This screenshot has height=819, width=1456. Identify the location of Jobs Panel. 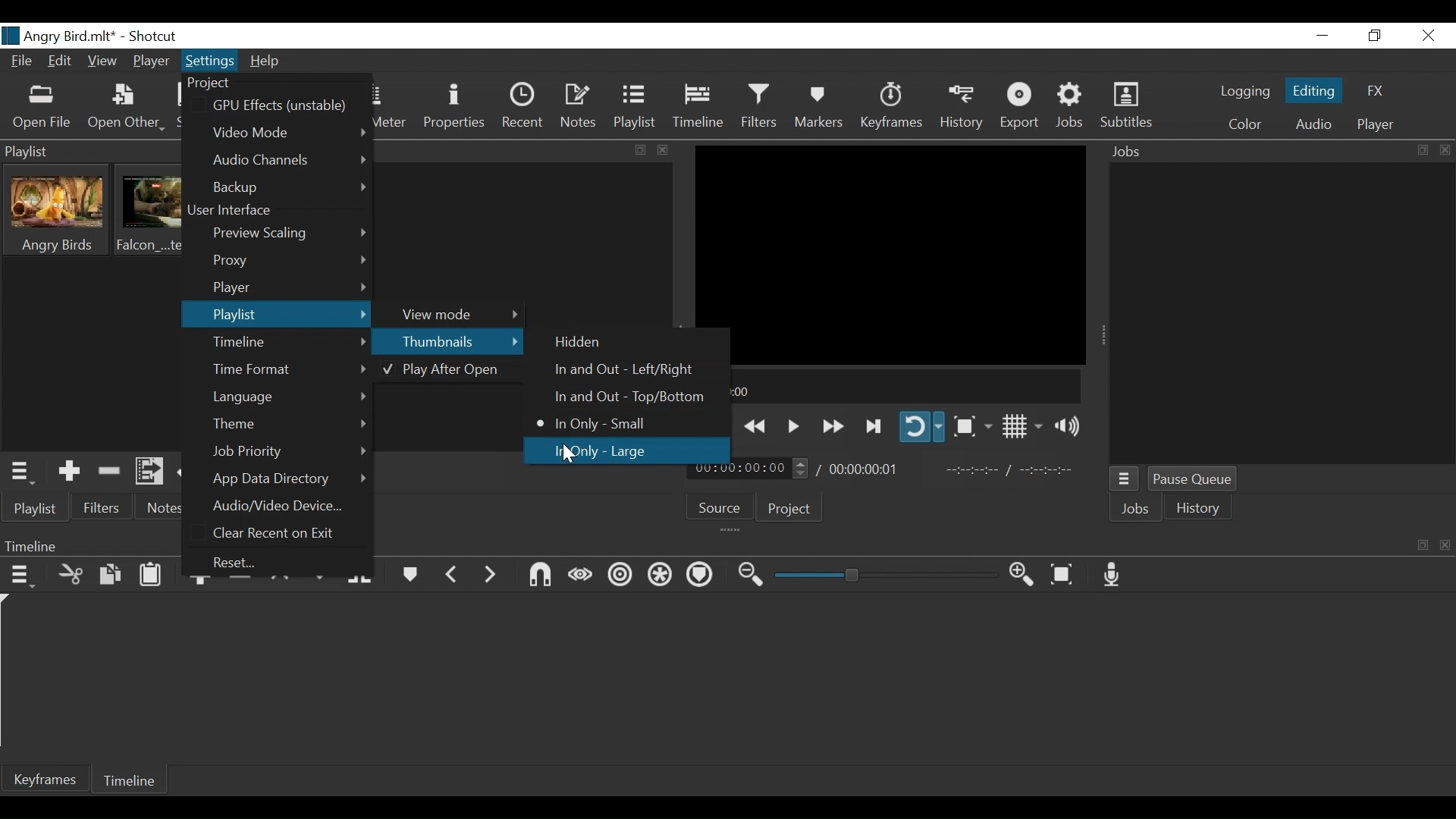
(1282, 314).